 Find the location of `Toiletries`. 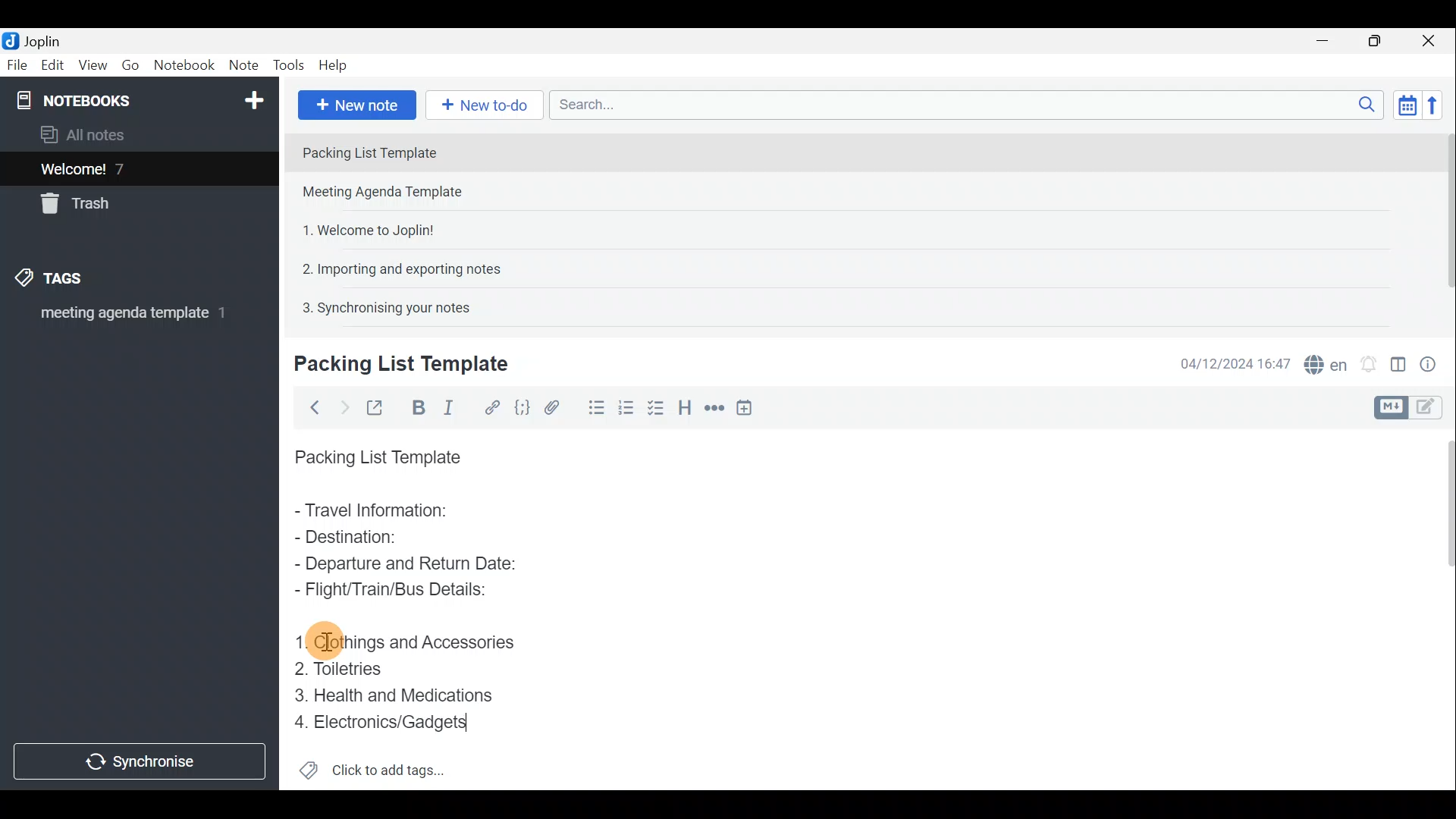

Toiletries is located at coordinates (342, 670).